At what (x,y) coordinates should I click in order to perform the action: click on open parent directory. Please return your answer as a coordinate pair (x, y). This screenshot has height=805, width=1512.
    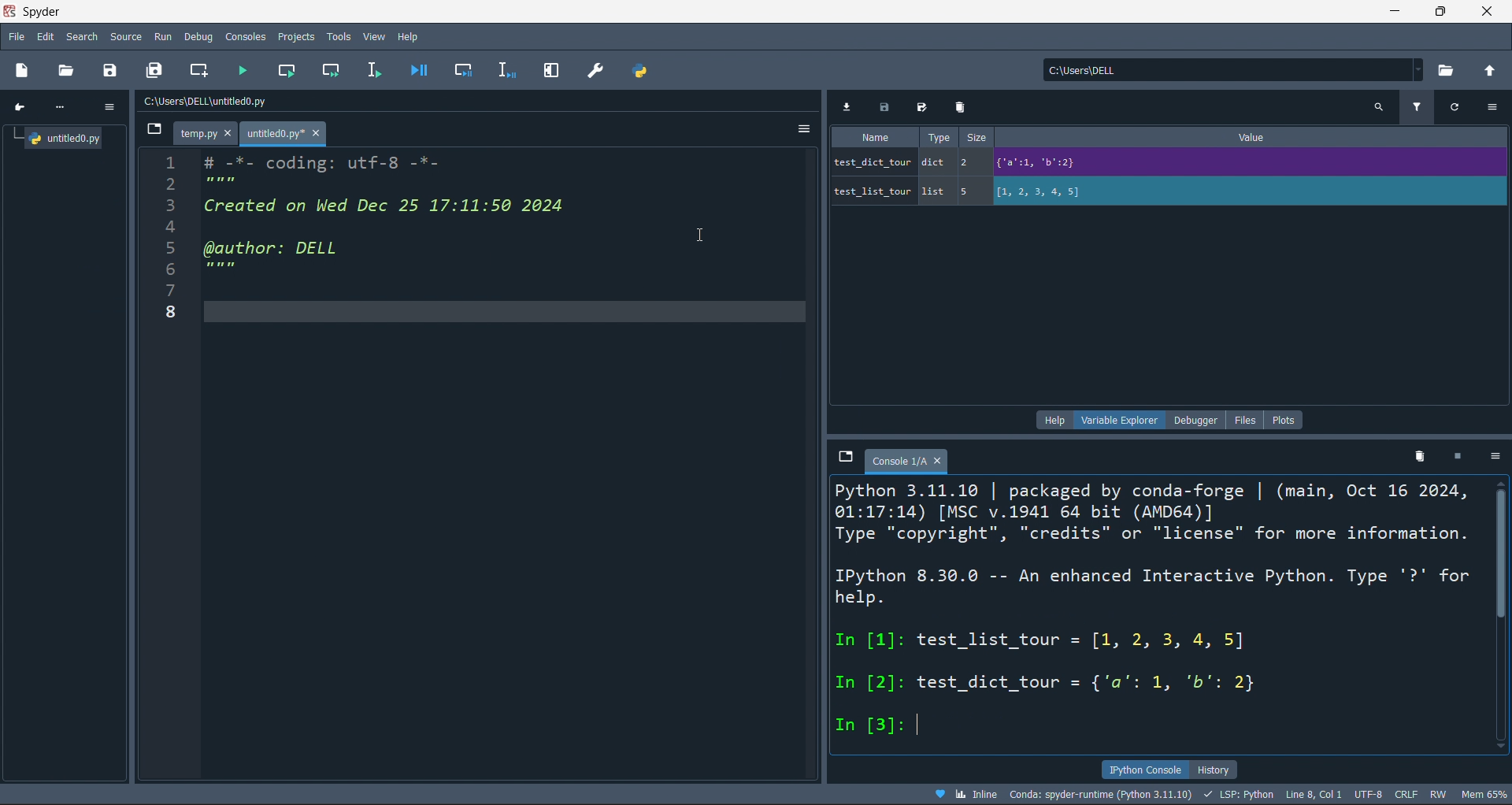
    Looking at the image, I should click on (1494, 70).